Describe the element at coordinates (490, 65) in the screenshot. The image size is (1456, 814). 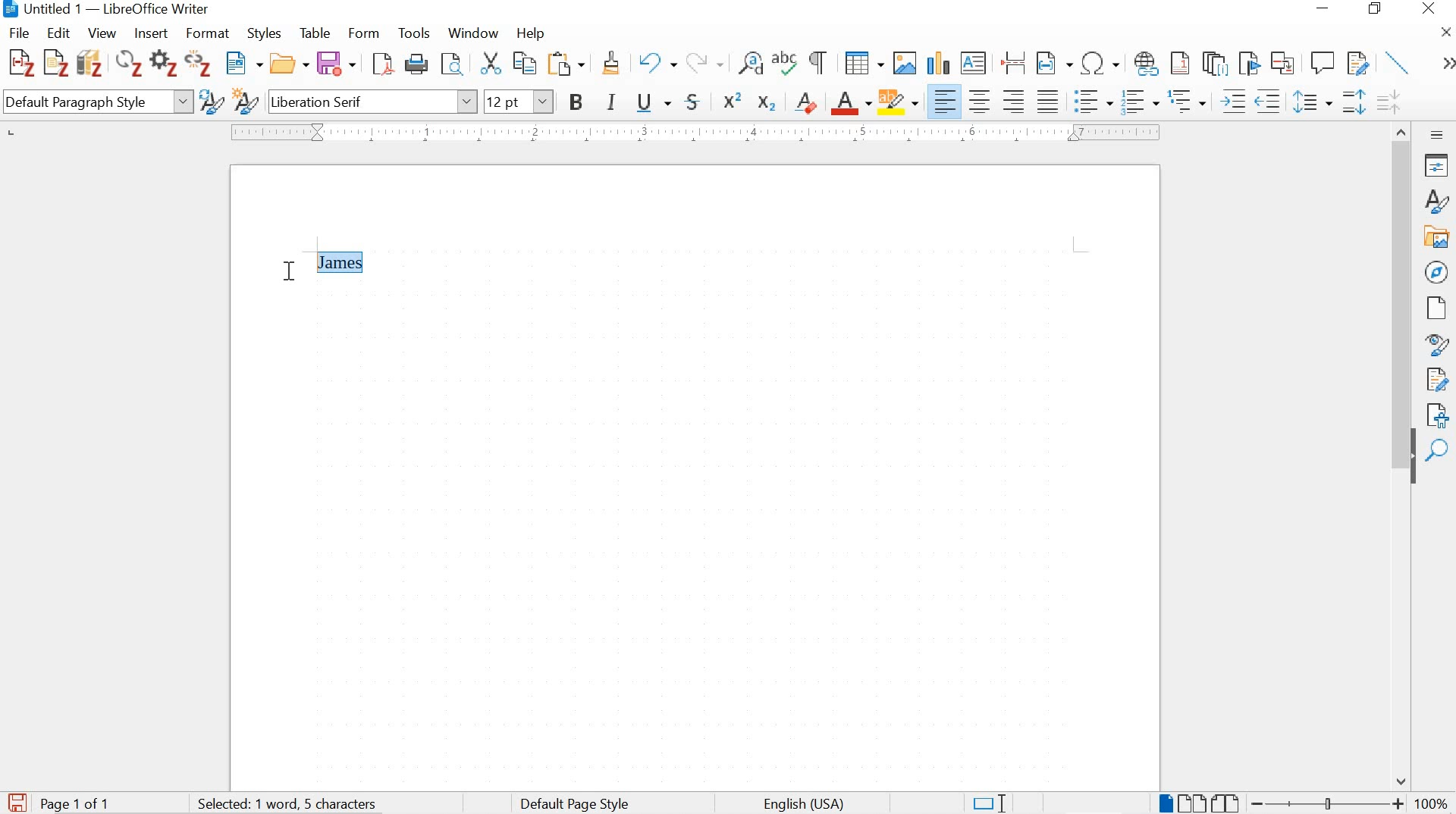
I see `cut` at that location.